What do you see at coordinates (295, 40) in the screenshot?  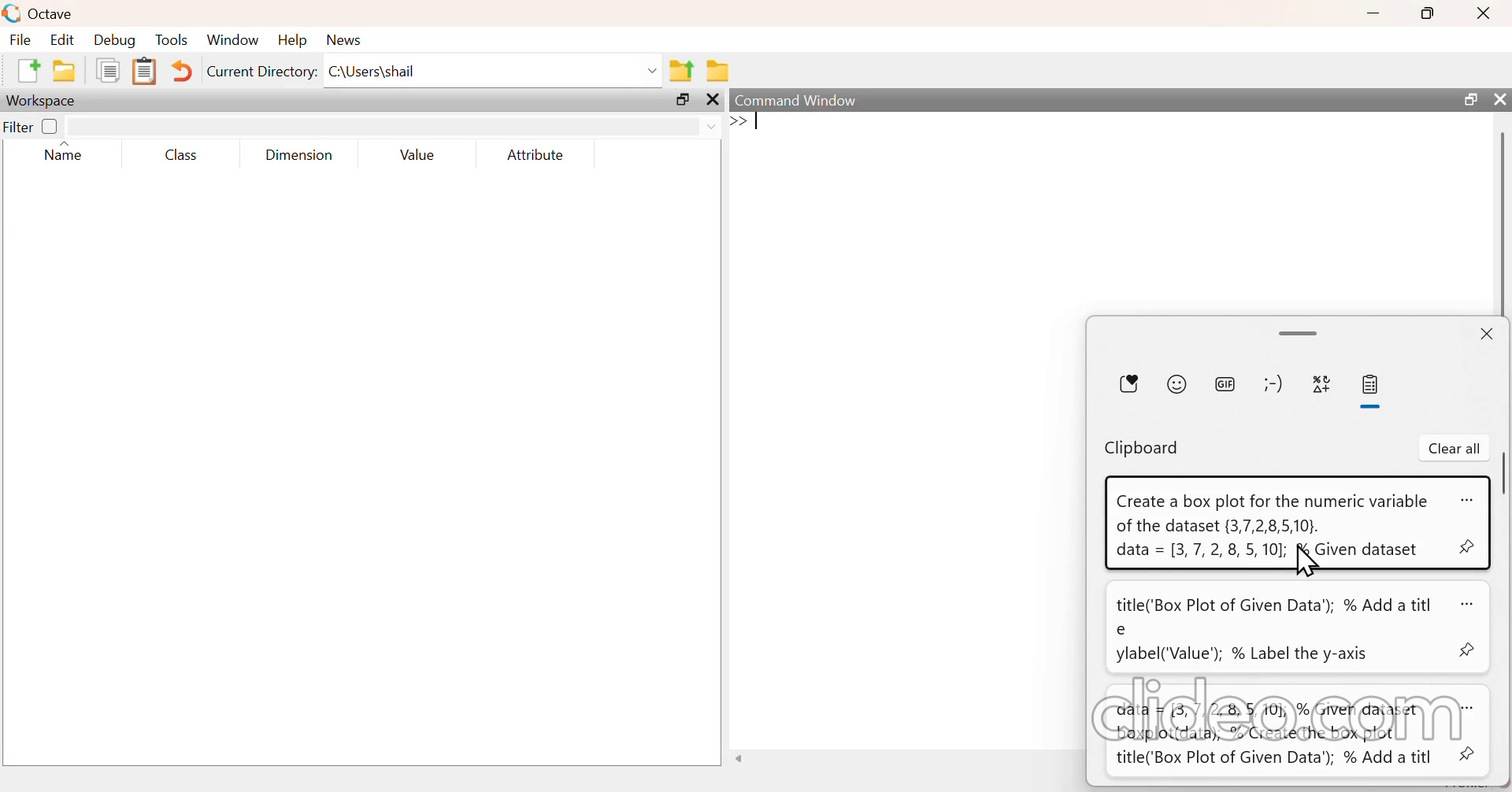 I see `help` at bounding box center [295, 40].